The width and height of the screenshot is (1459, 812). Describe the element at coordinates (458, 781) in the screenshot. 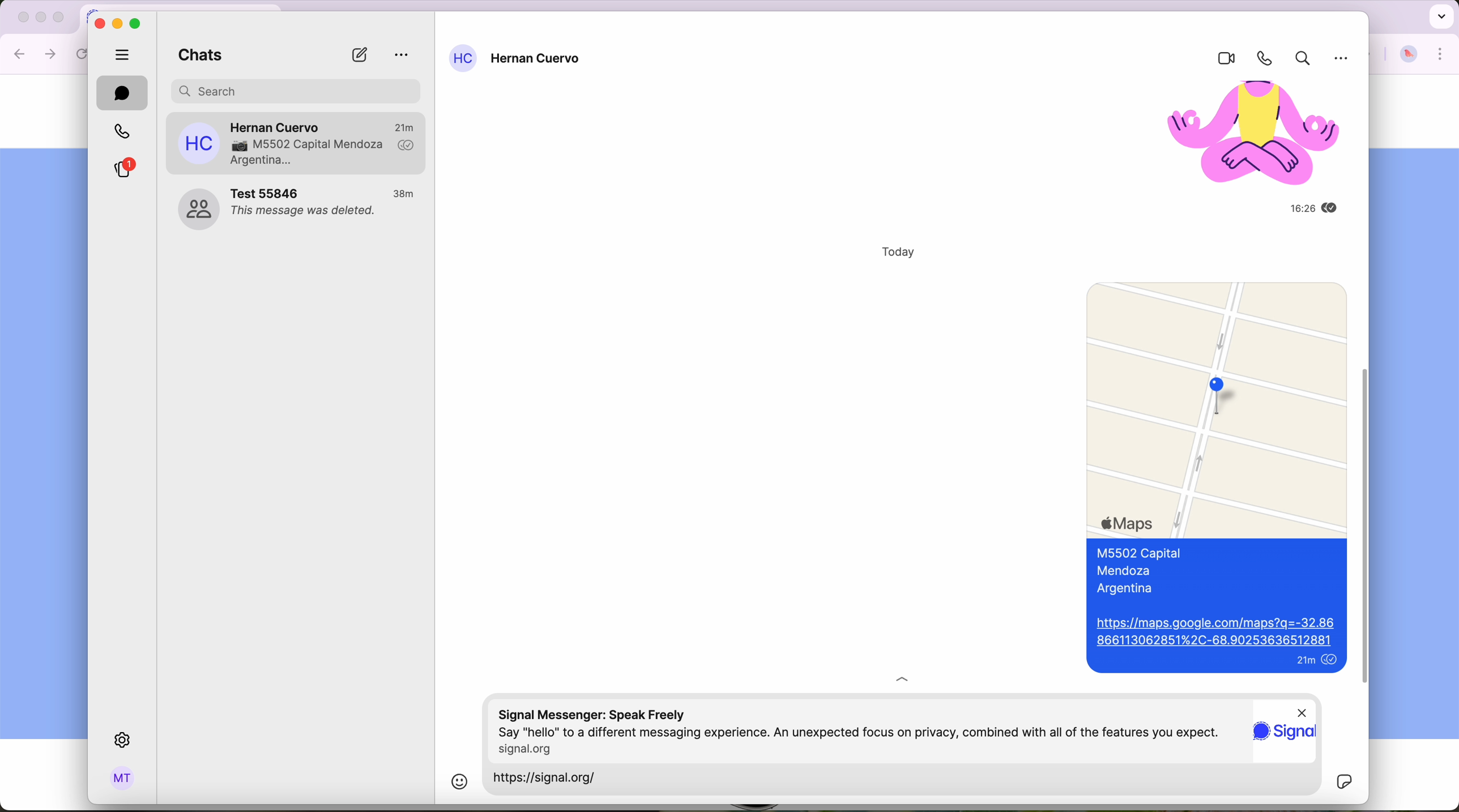

I see `emoji` at that location.